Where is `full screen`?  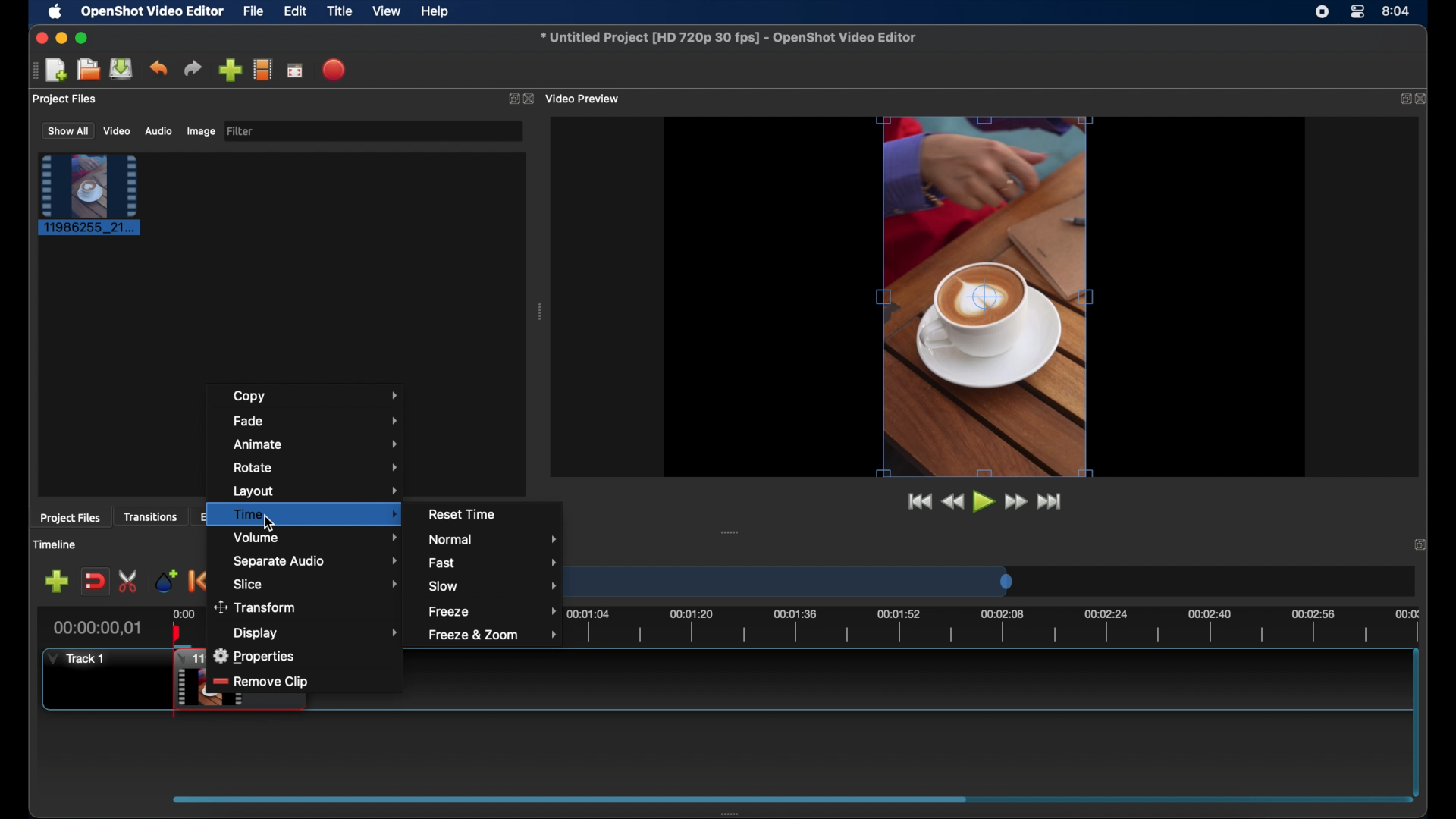
full screen is located at coordinates (295, 69).